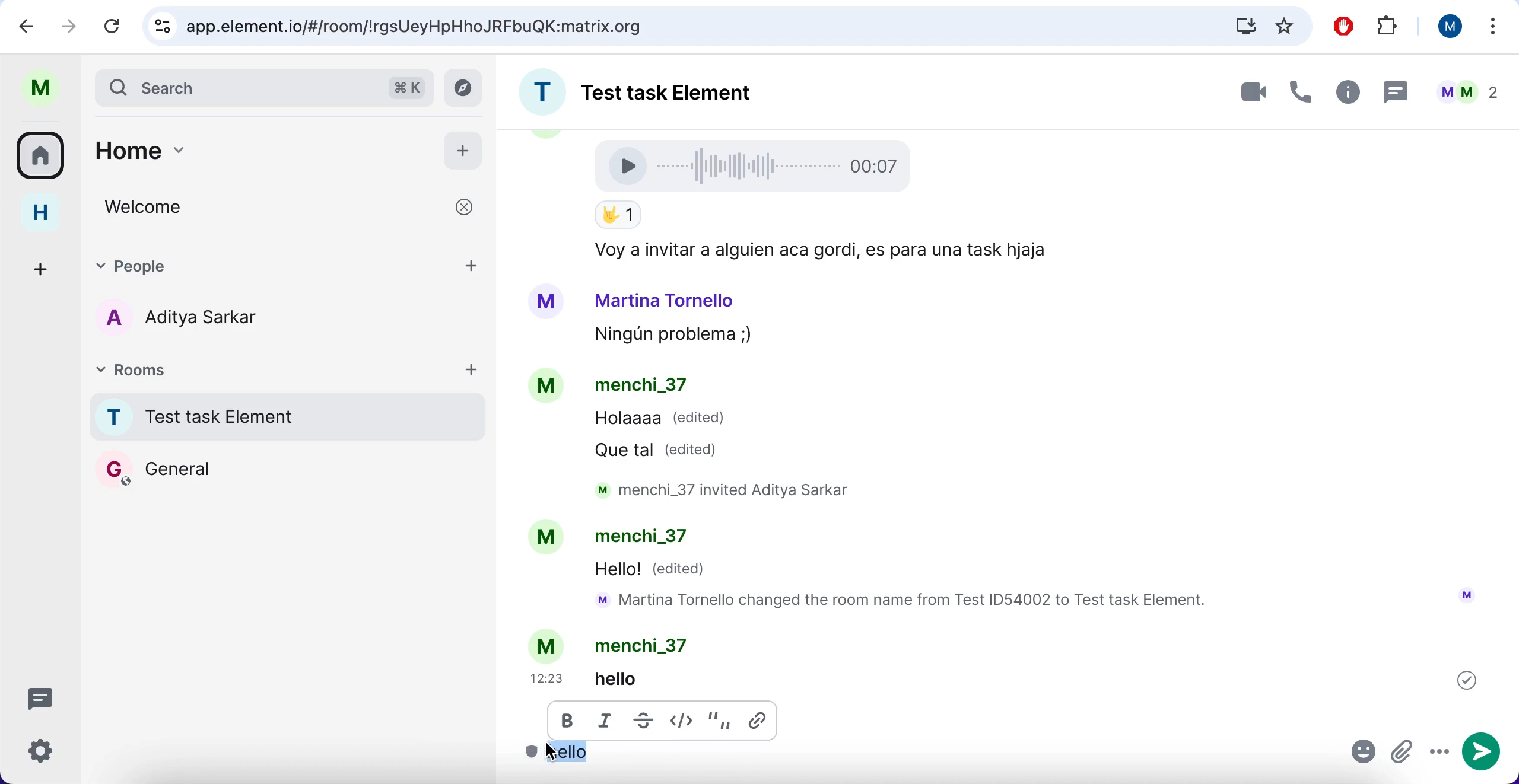 The width and height of the screenshot is (1519, 784). Describe the element at coordinates (198, 320) in the screenshot. I see `users ` at that location.